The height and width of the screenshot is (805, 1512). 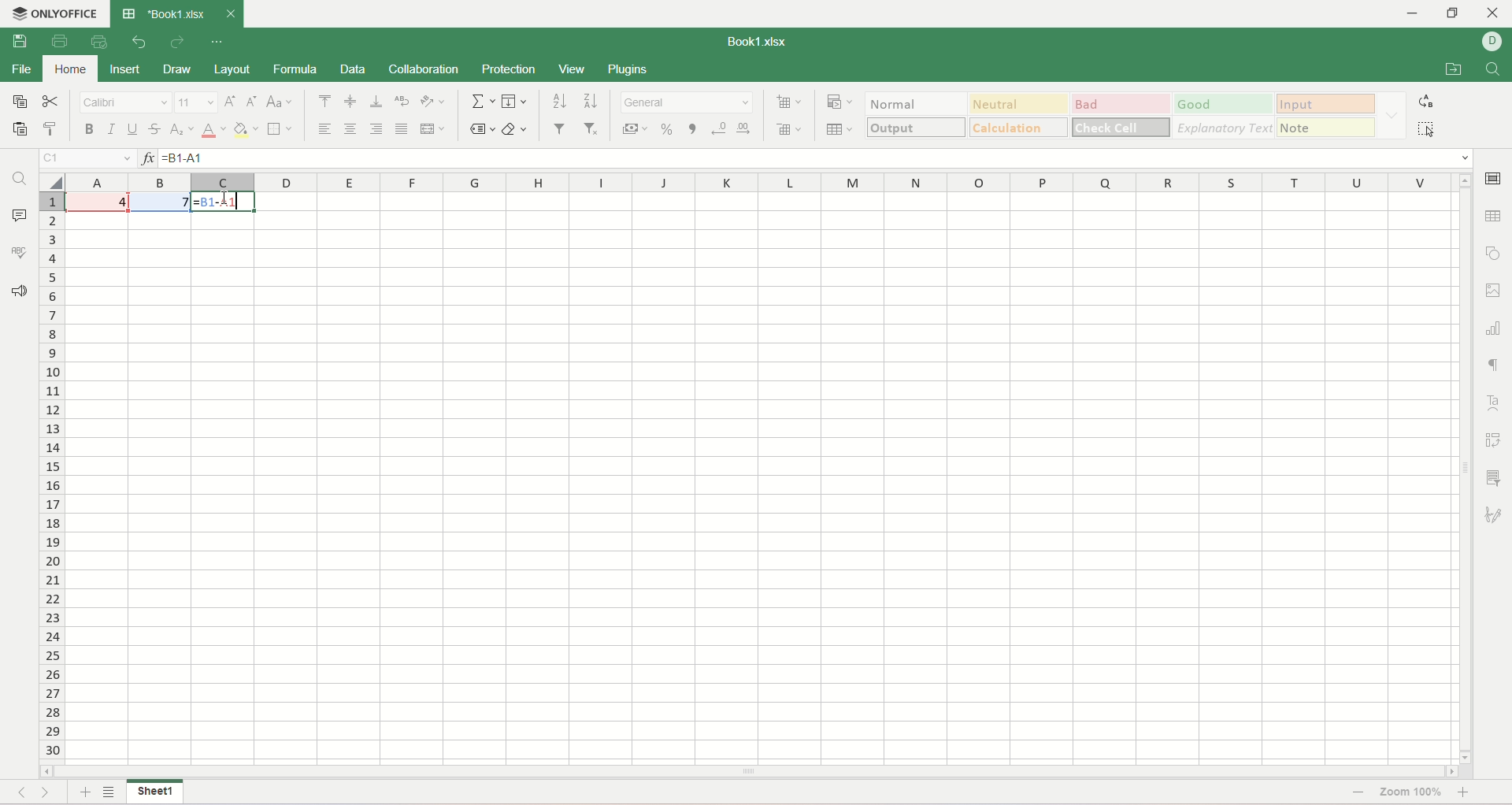 I want to click on zoom out, so click(x=1354, y=793).